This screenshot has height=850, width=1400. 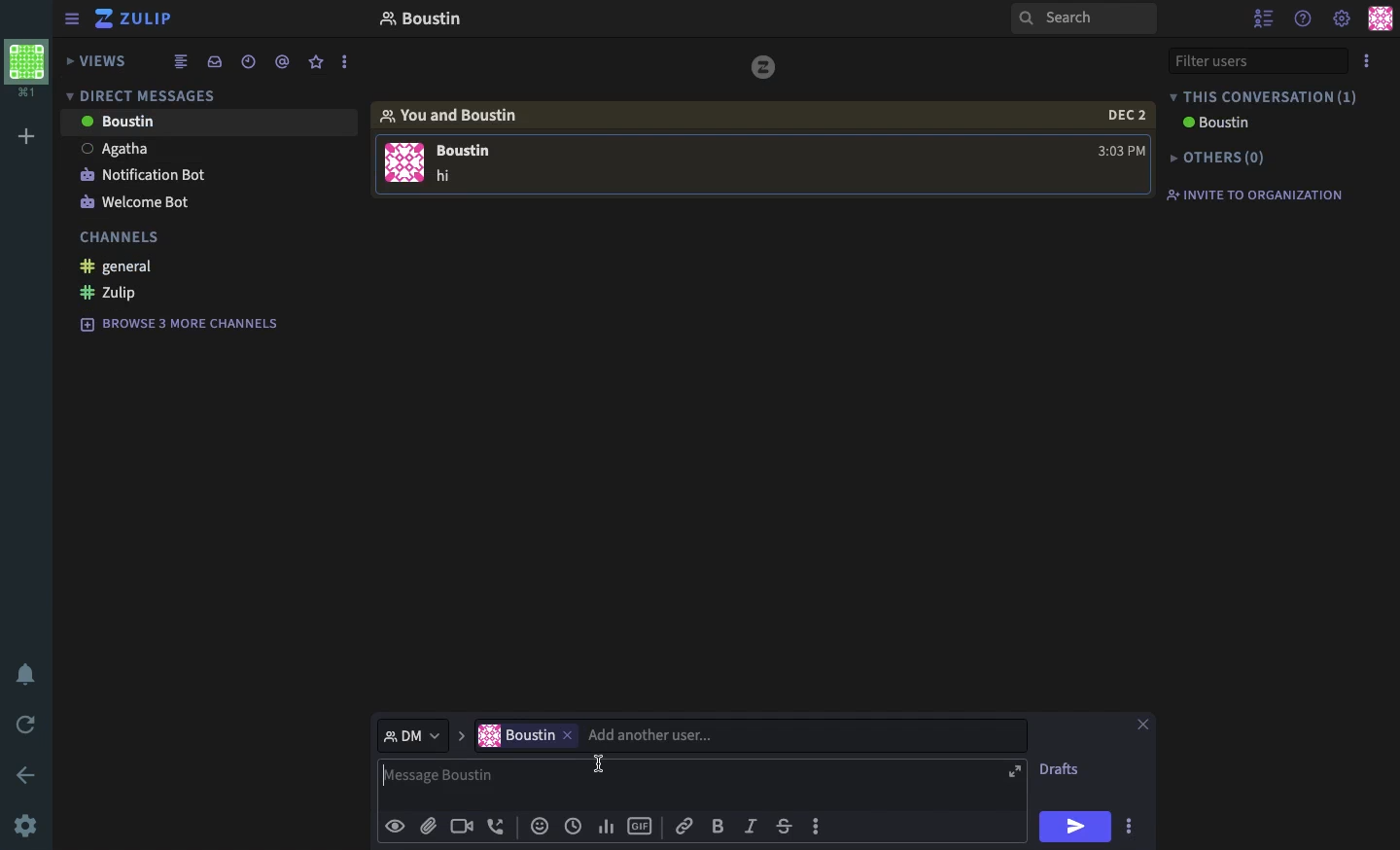 I want to click on refresh, so click(x=27, y=725).